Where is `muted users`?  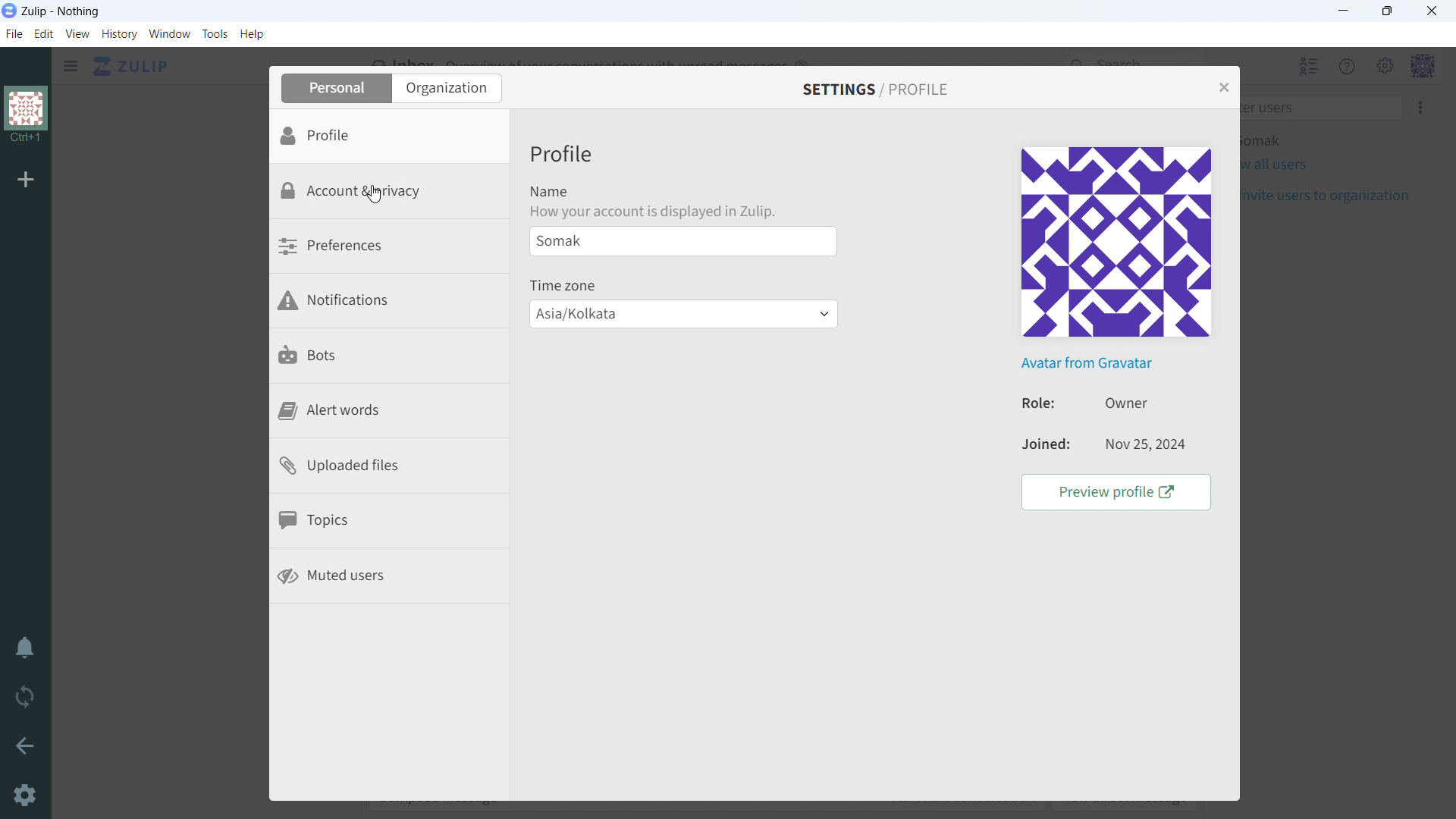
muted users is located at coordinates (390, 577).